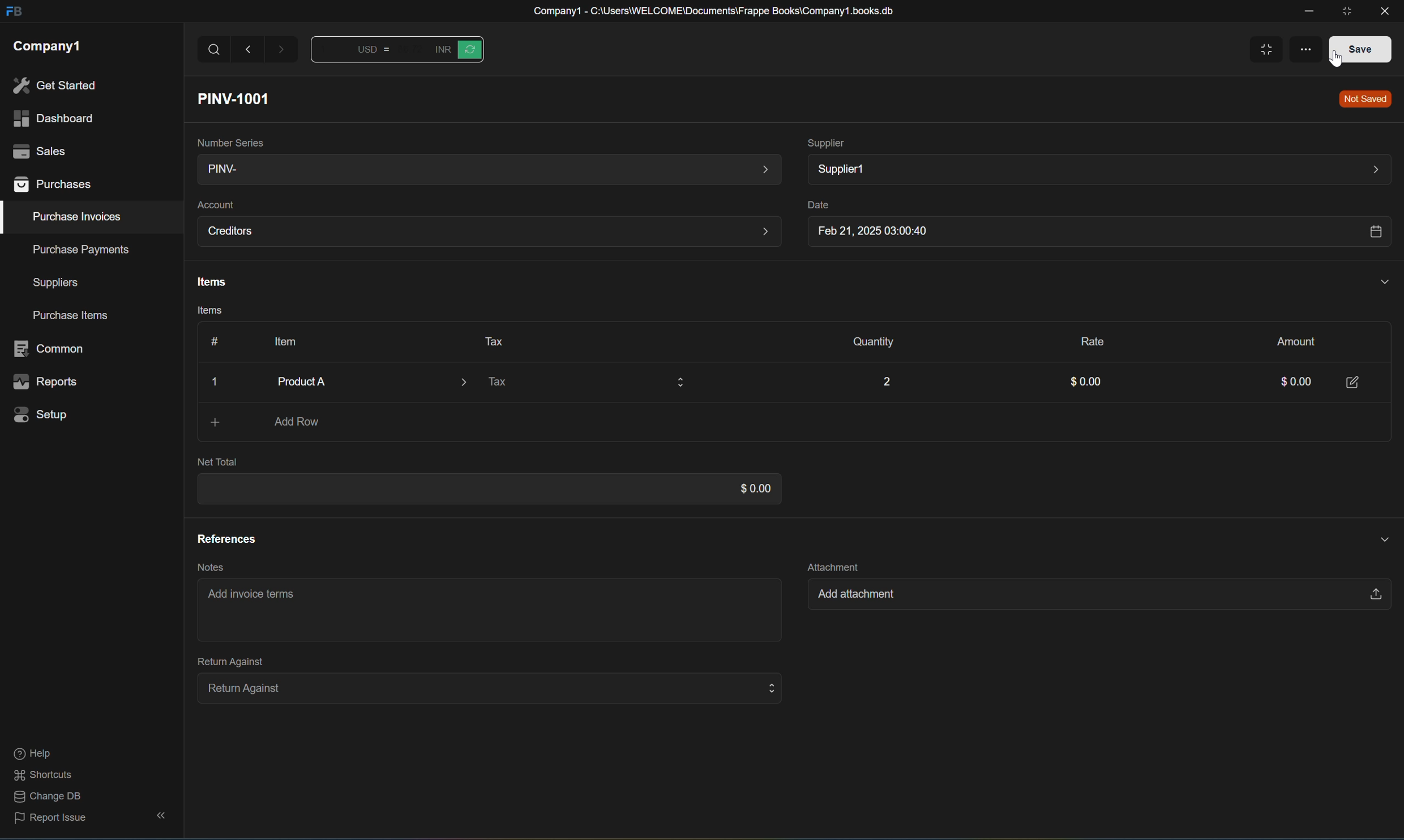 The width and height of the screenshot is (1404, 840). I want to click on purchase payments, so click(72, 249).